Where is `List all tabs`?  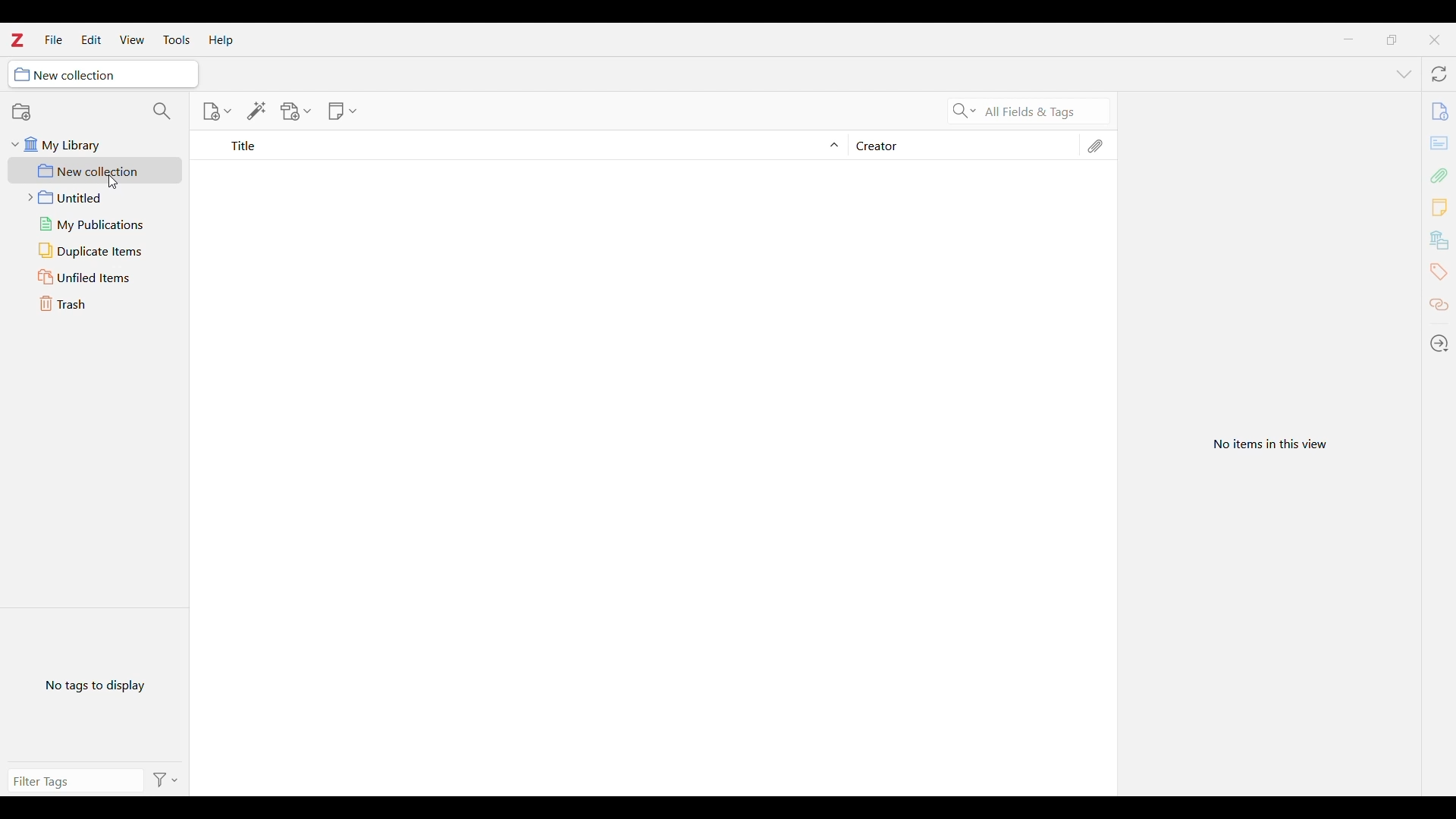
List all tabs is located at coordinates (1404, 75).